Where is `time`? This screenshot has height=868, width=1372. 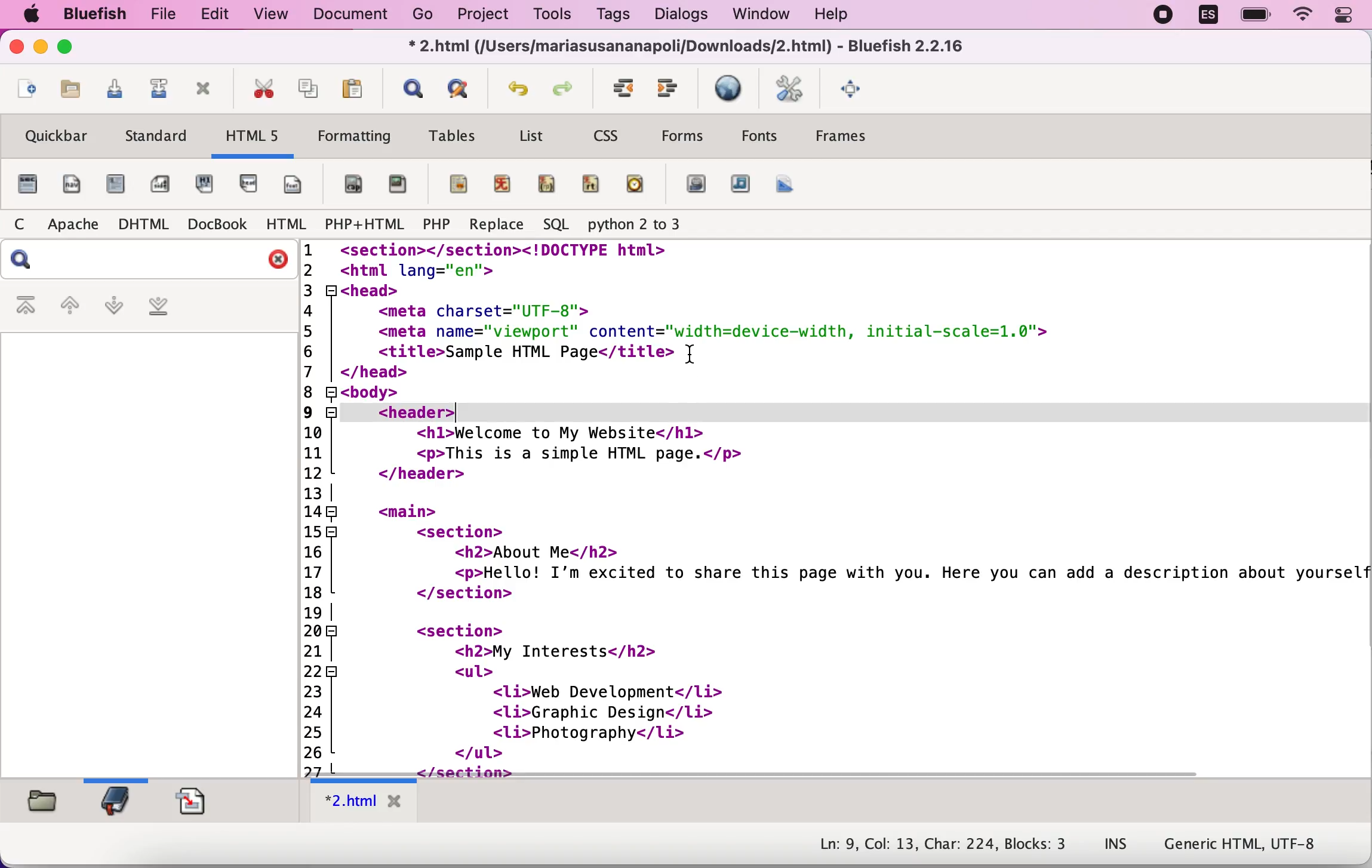 time is located at coordinates (638, 183).